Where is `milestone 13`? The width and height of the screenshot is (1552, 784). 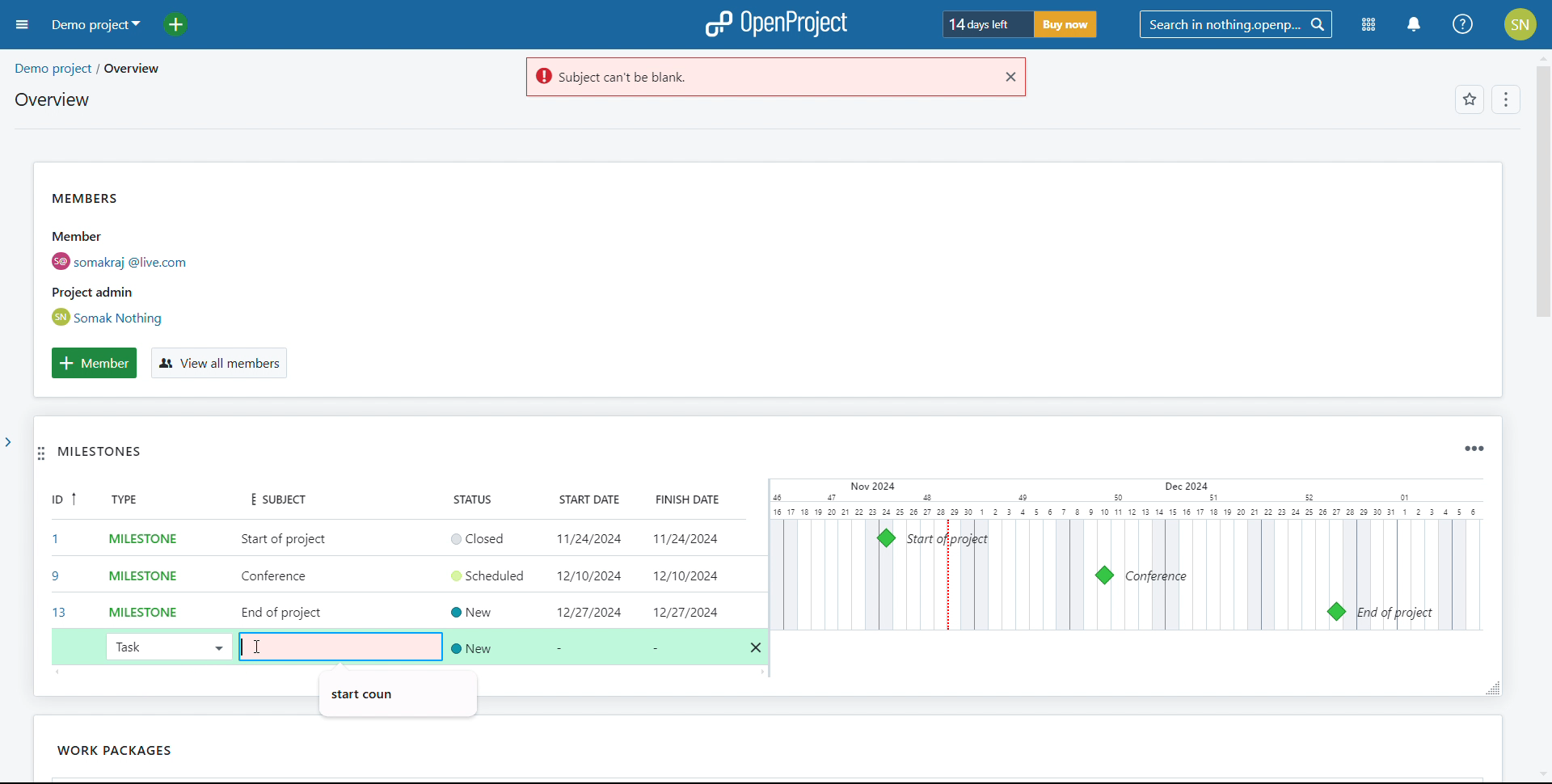 milestone 13 is located at coordinates (1335, 612).